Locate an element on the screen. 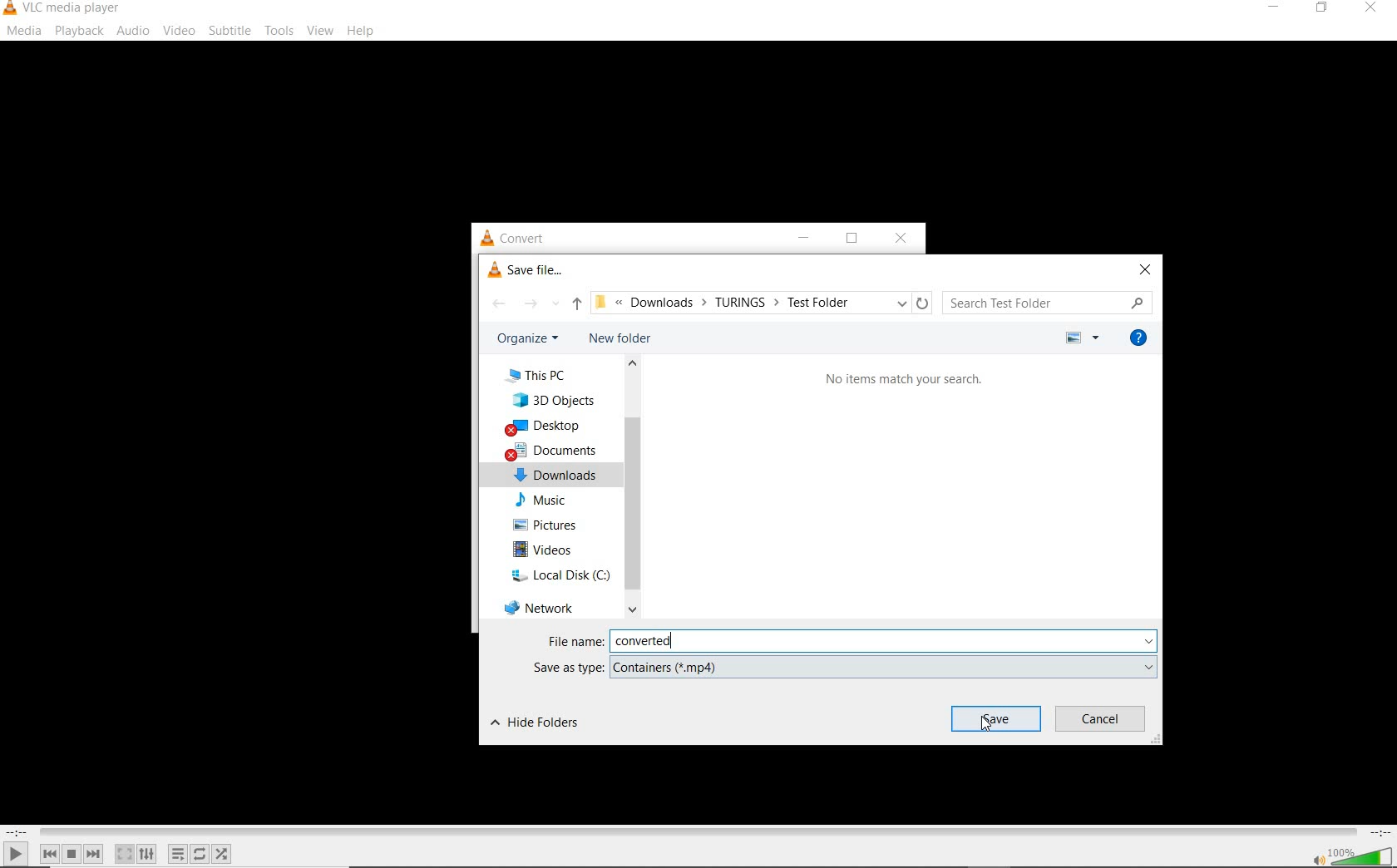 This screenshot has width=1397, height=868. random is located at coordinates (221, 854).